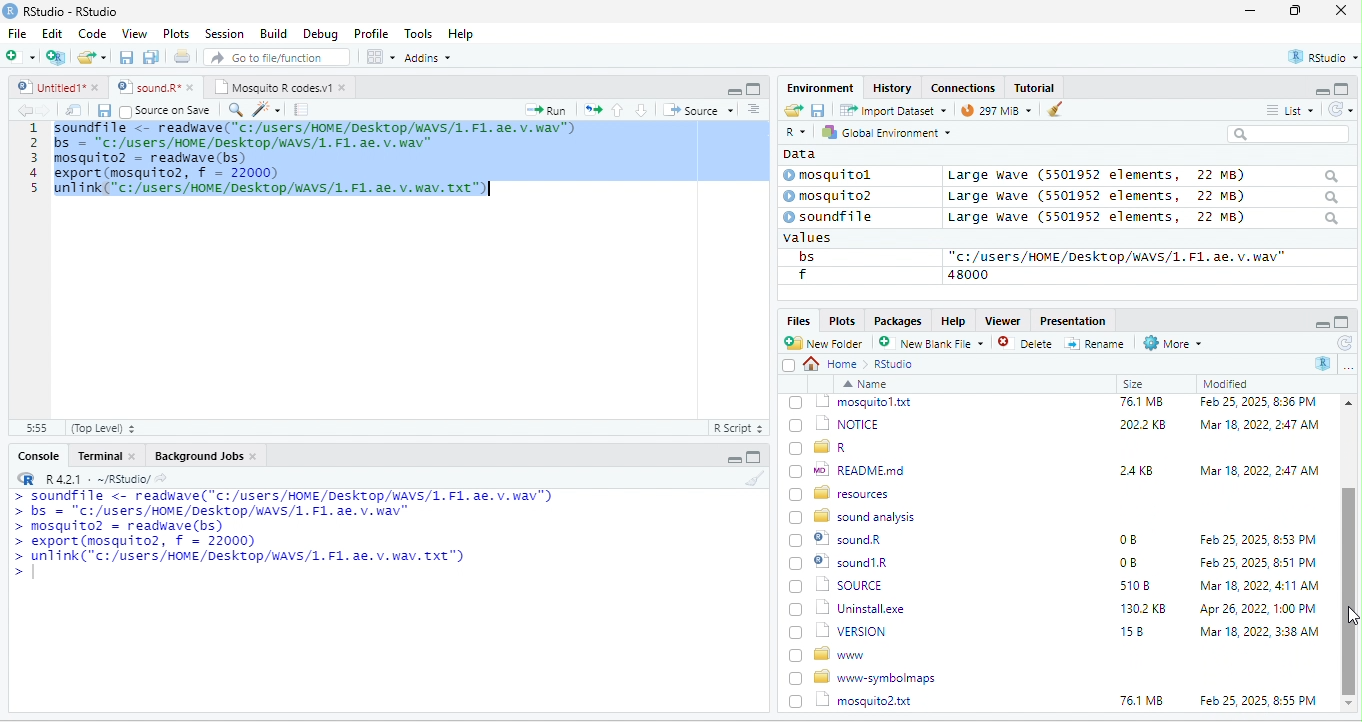 This screenshot has height=722, width=1362. Describe the element at coordinates (320, 161) in the screenshot. I see `code` at that location.